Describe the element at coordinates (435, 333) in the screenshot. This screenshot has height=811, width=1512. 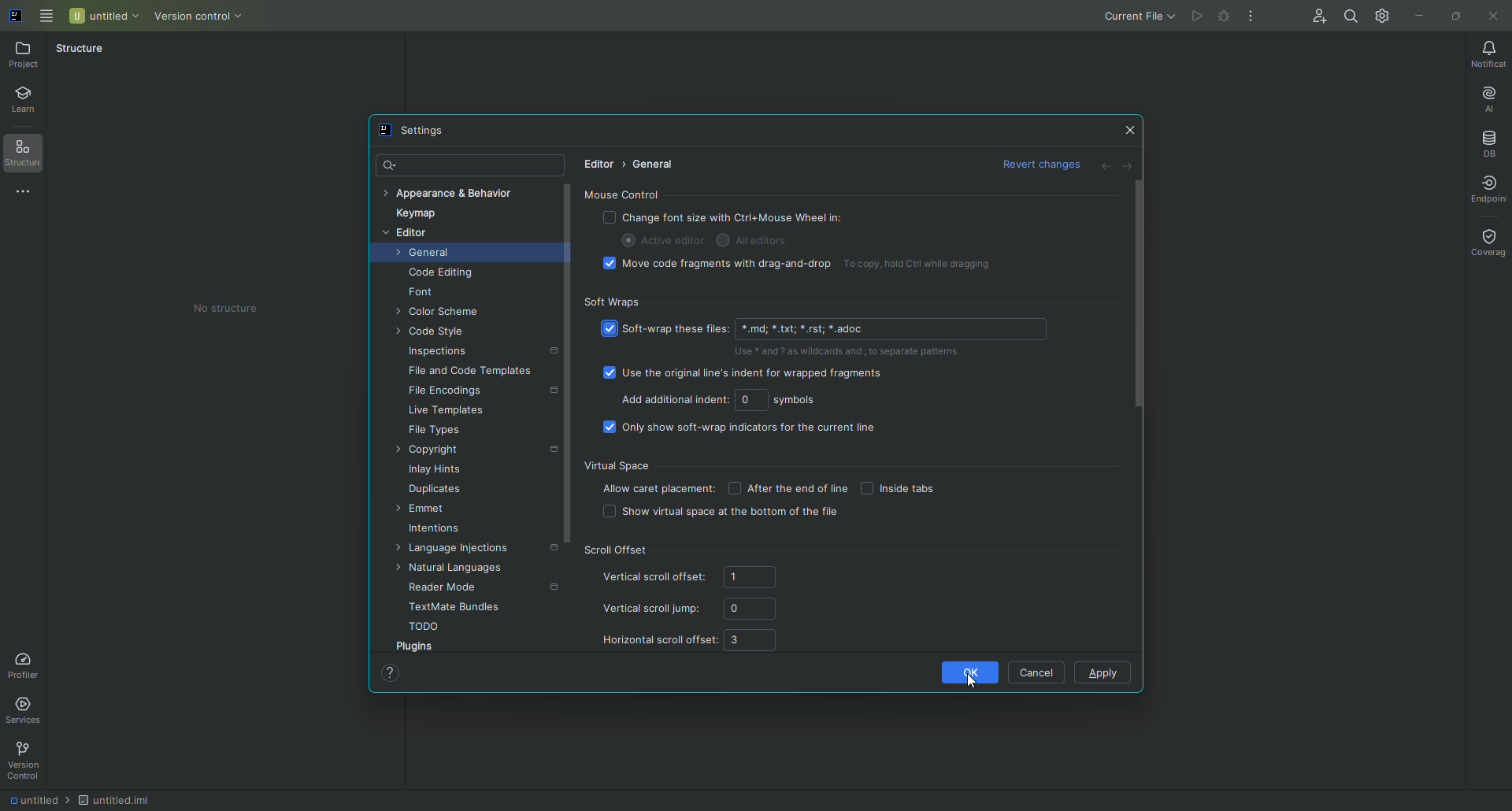
I see `Code Style` at that location.